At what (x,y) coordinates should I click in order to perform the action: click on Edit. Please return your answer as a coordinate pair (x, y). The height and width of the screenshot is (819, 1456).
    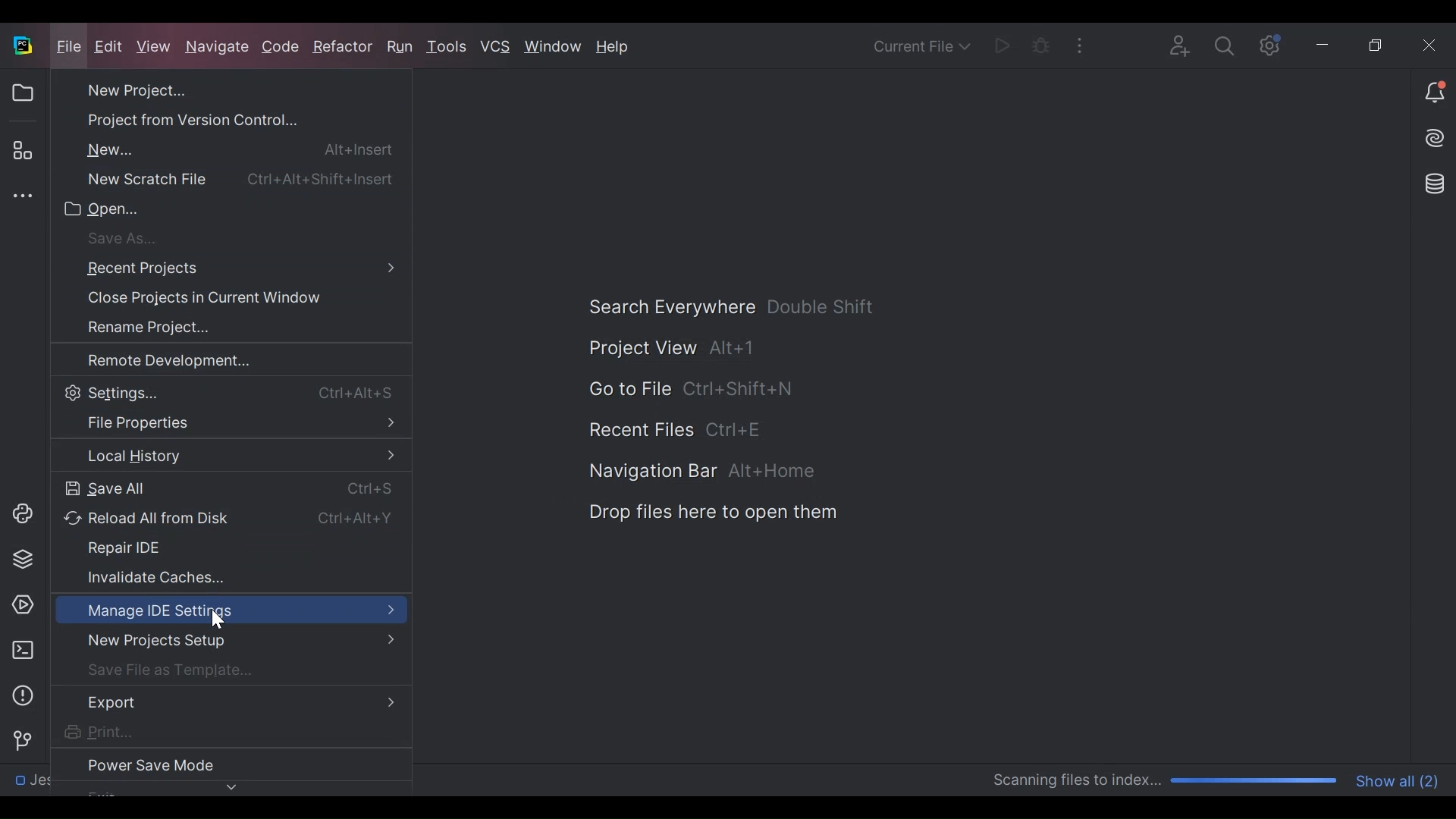
    Looking at the image, I should click on (111, 48).